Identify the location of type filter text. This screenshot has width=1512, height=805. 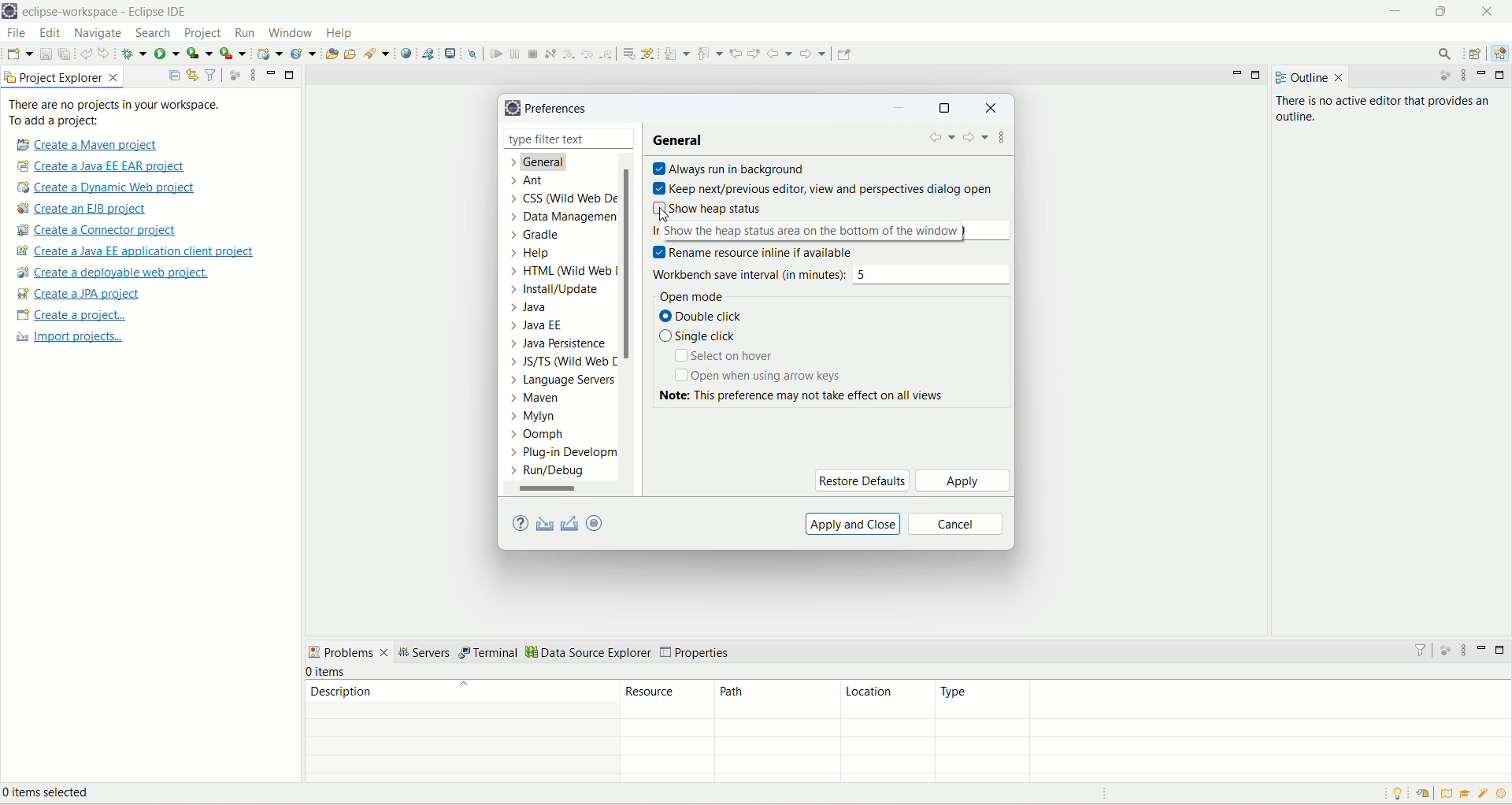
(559, 139).